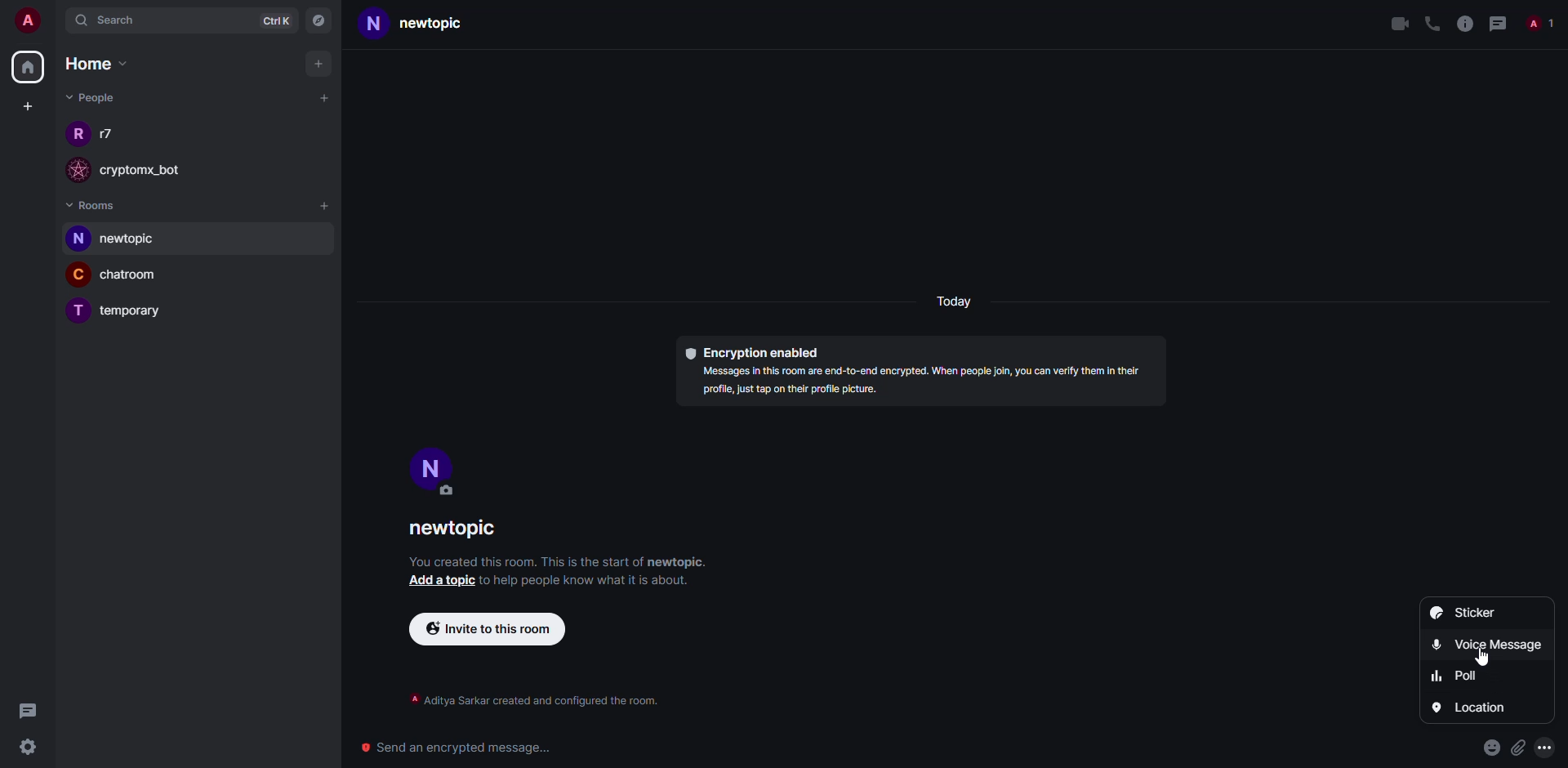  Describe the element at coordinates (153, 170) in the screenshot. I see `bot` at that location.